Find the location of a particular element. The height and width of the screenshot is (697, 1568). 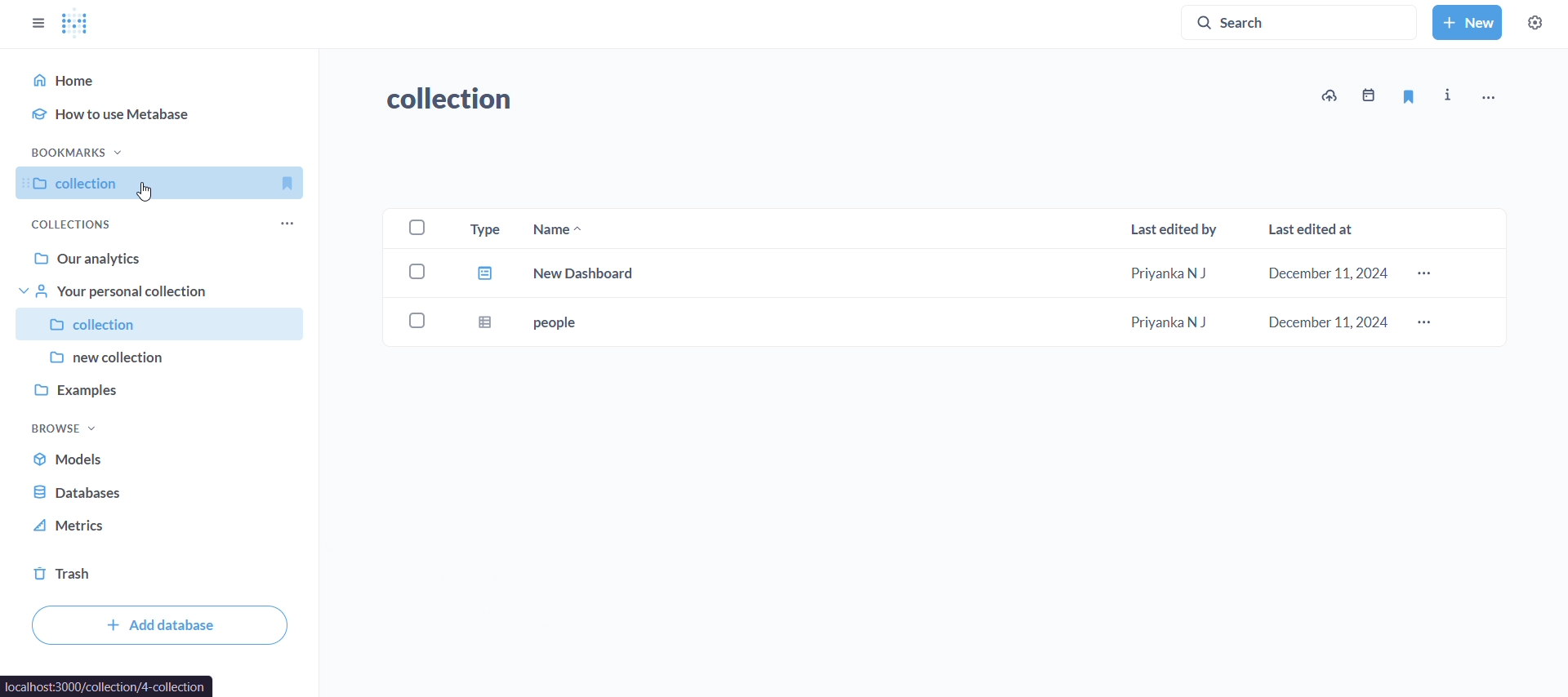

search is located at coordinates (1301, 20).